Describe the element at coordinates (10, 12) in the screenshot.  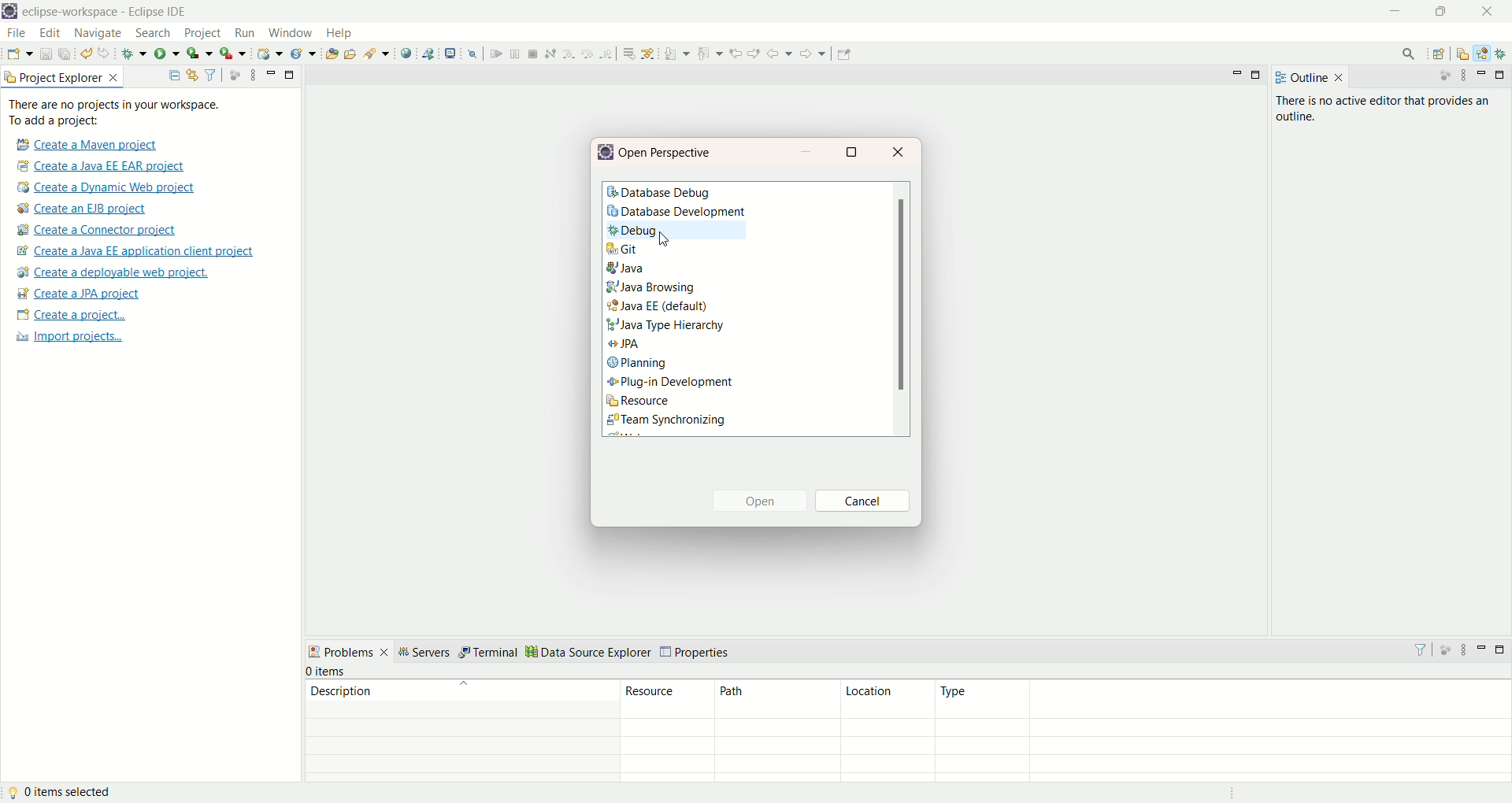
I see `logo` at that location.